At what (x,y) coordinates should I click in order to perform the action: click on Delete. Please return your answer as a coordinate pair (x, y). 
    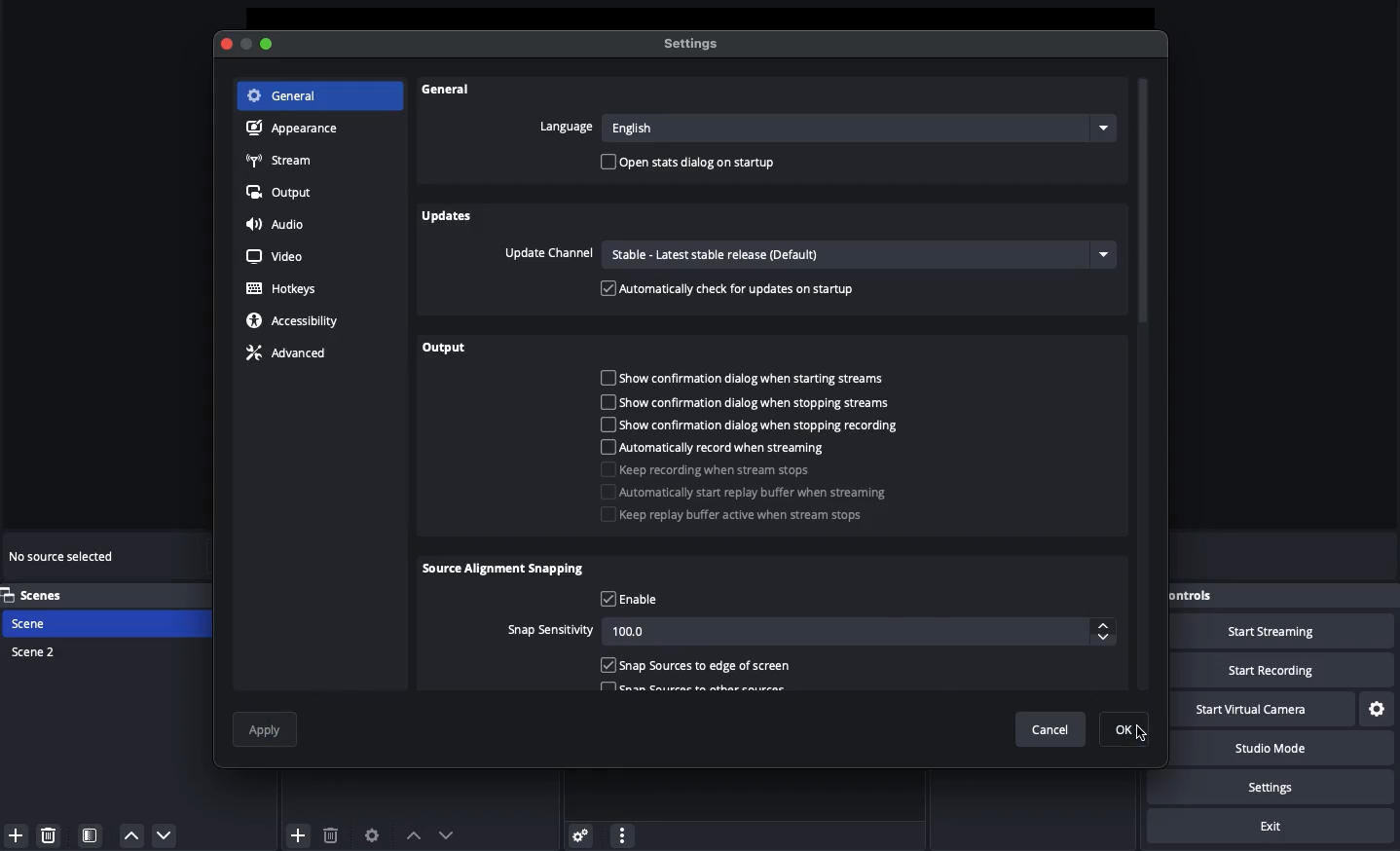
    Looking at the image, I should click on (52, 834).